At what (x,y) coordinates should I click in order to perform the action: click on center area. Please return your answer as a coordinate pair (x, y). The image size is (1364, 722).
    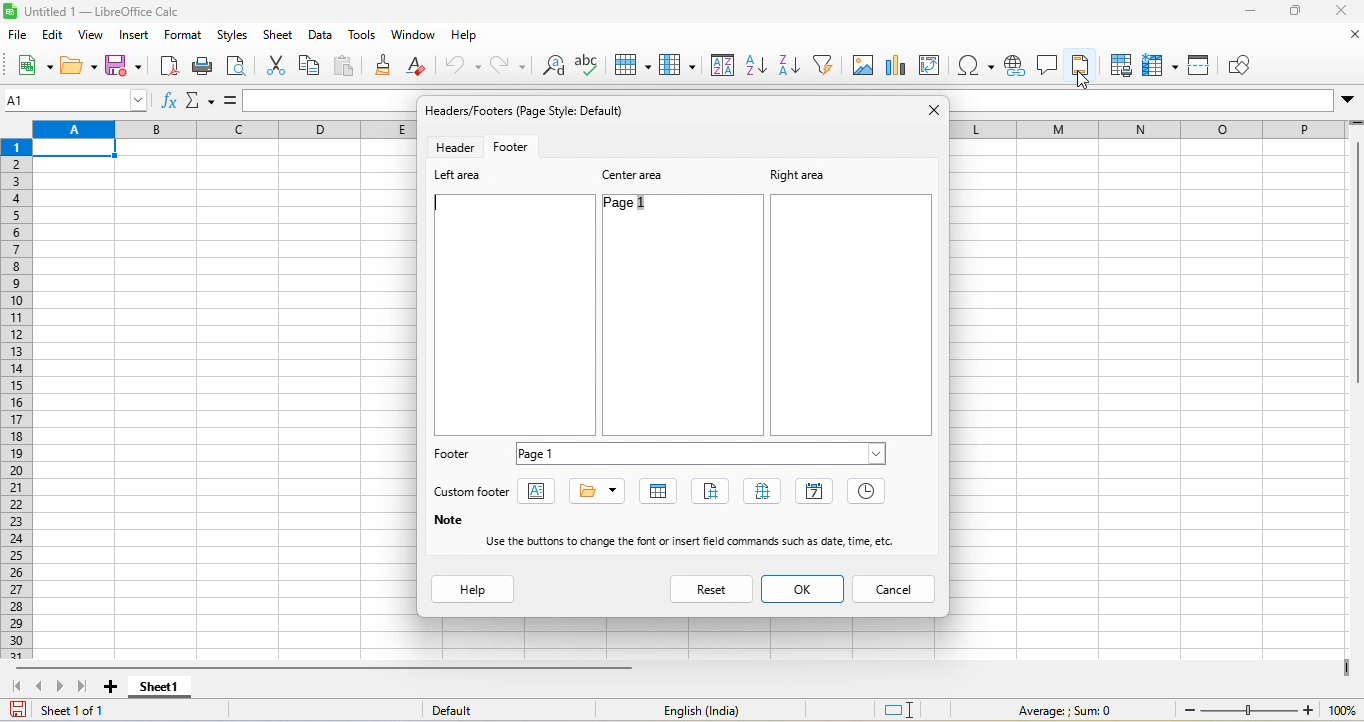
    Looking at the image, I should click on (638, 174).